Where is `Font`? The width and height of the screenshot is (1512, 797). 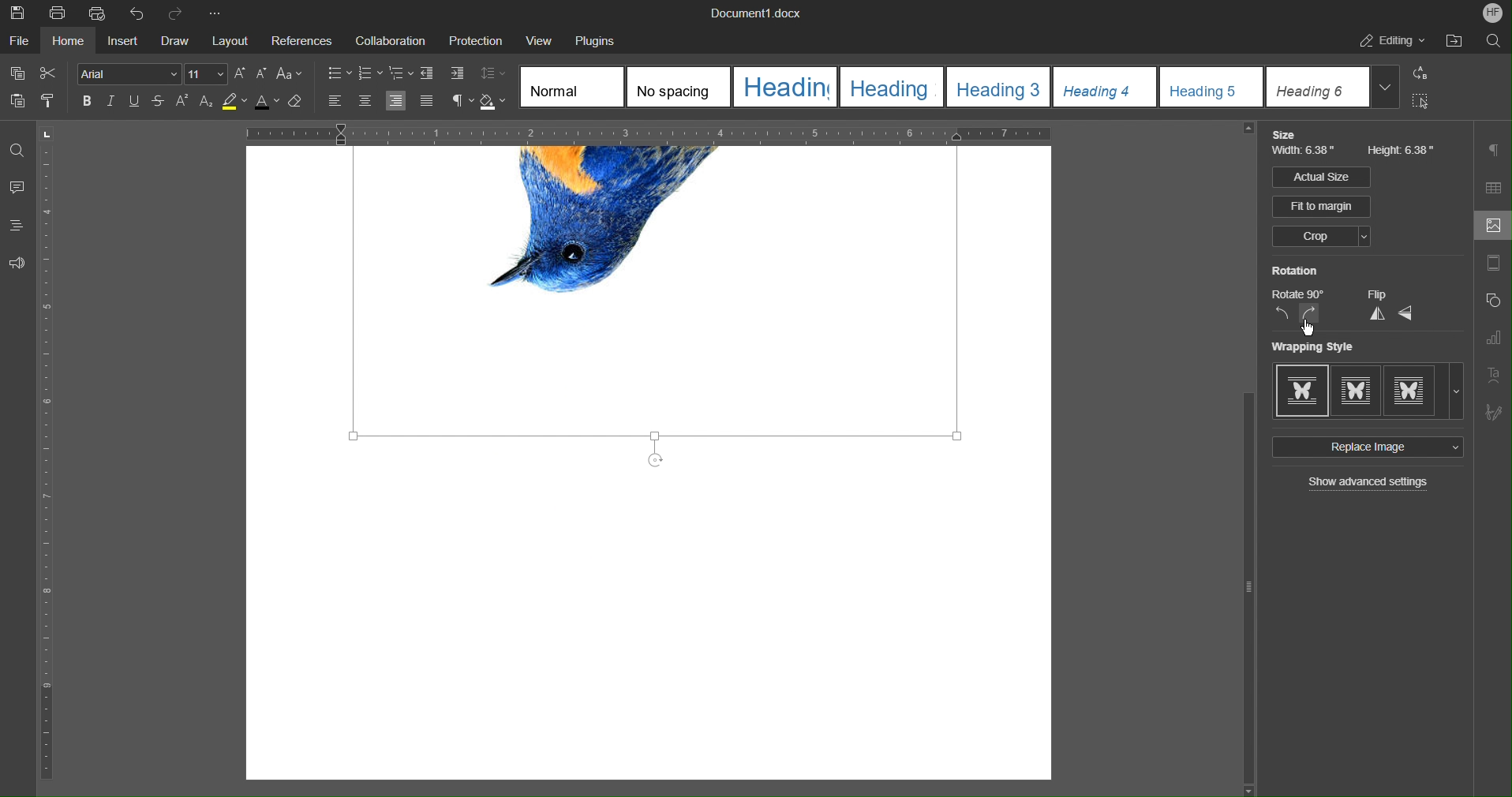
Font is located at coordinates (129, 73).